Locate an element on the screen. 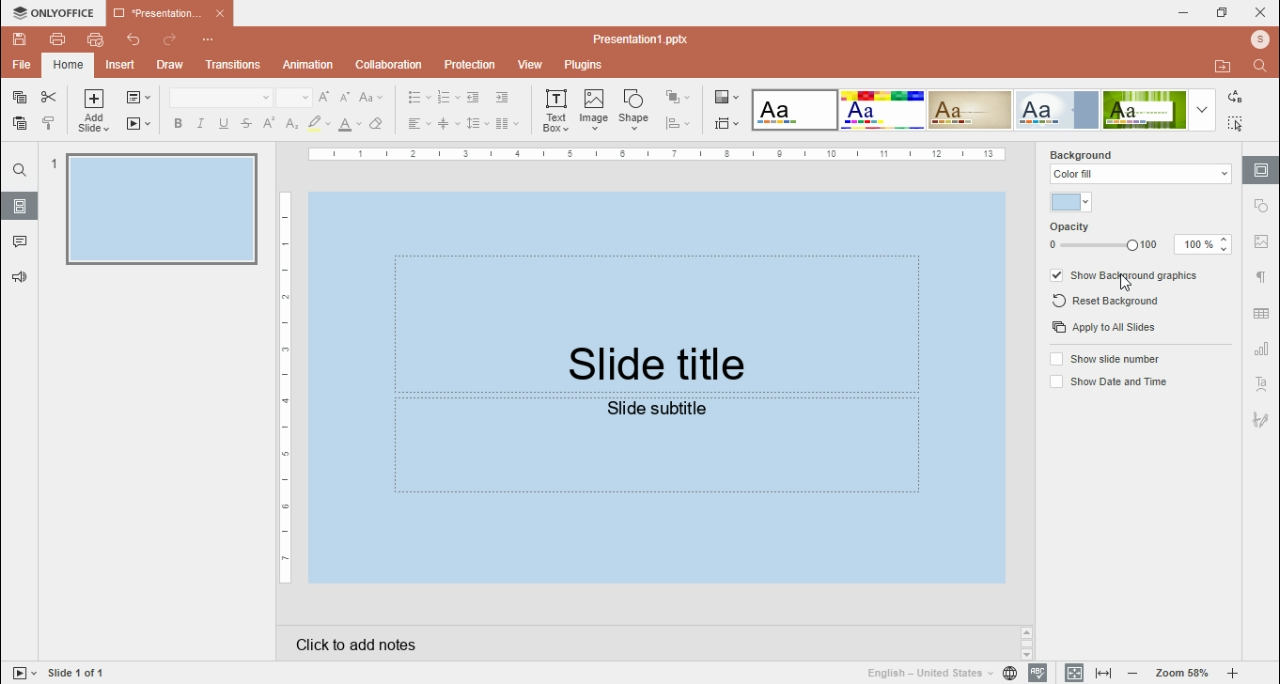 The width and height of the screenshot is (1280, 684). scale is located at coordinates (284, 389).